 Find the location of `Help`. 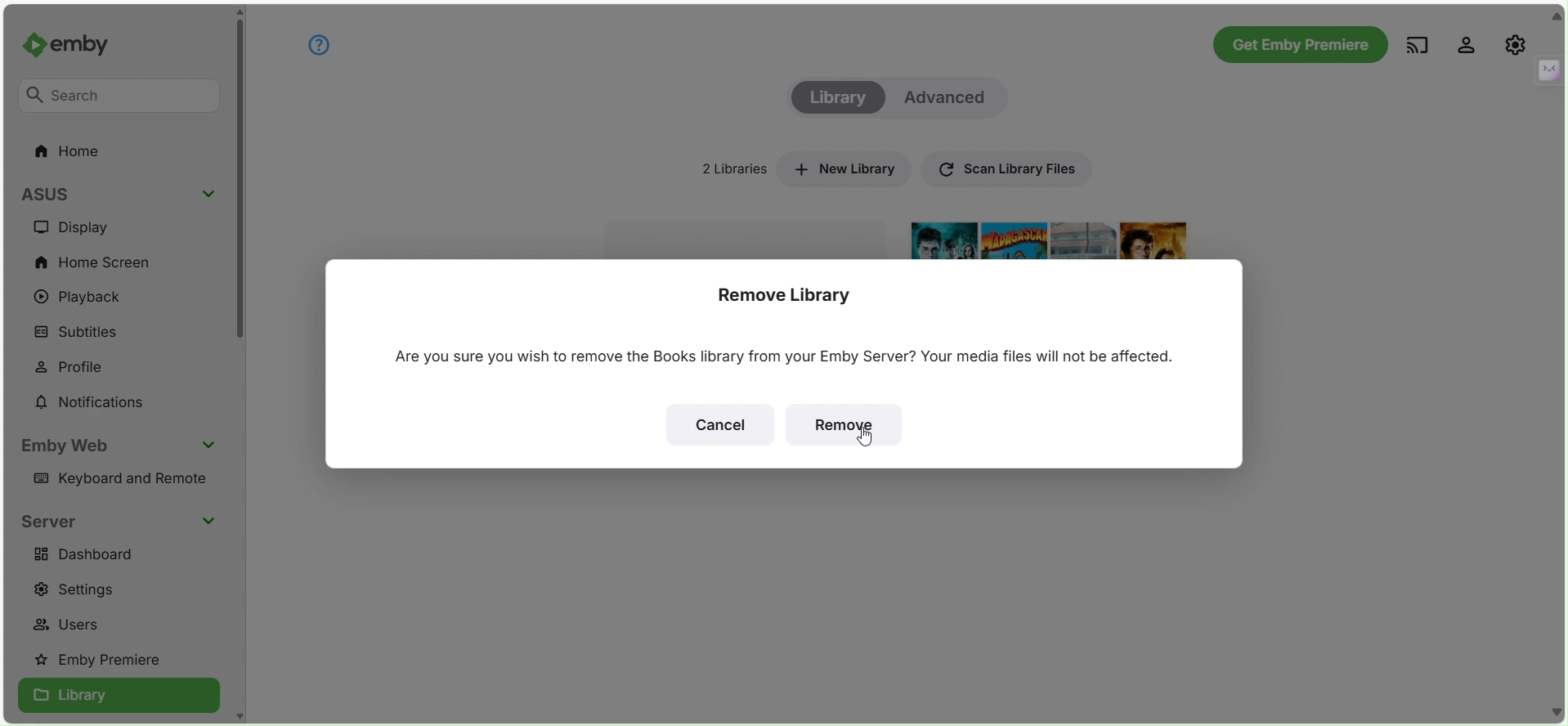

Help is located at coordinates (318, 44).